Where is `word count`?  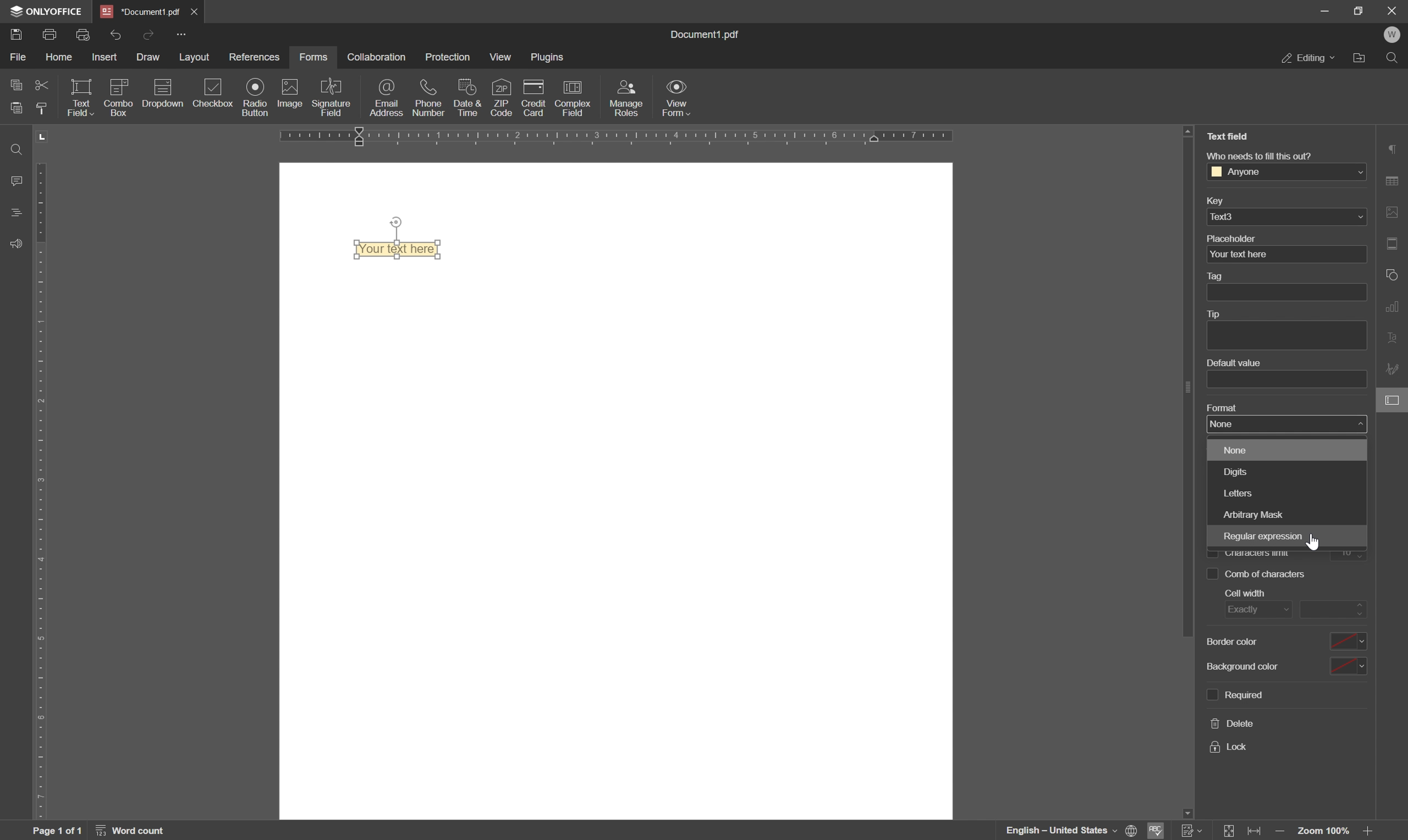
word count is located at coordinates (134, 830).